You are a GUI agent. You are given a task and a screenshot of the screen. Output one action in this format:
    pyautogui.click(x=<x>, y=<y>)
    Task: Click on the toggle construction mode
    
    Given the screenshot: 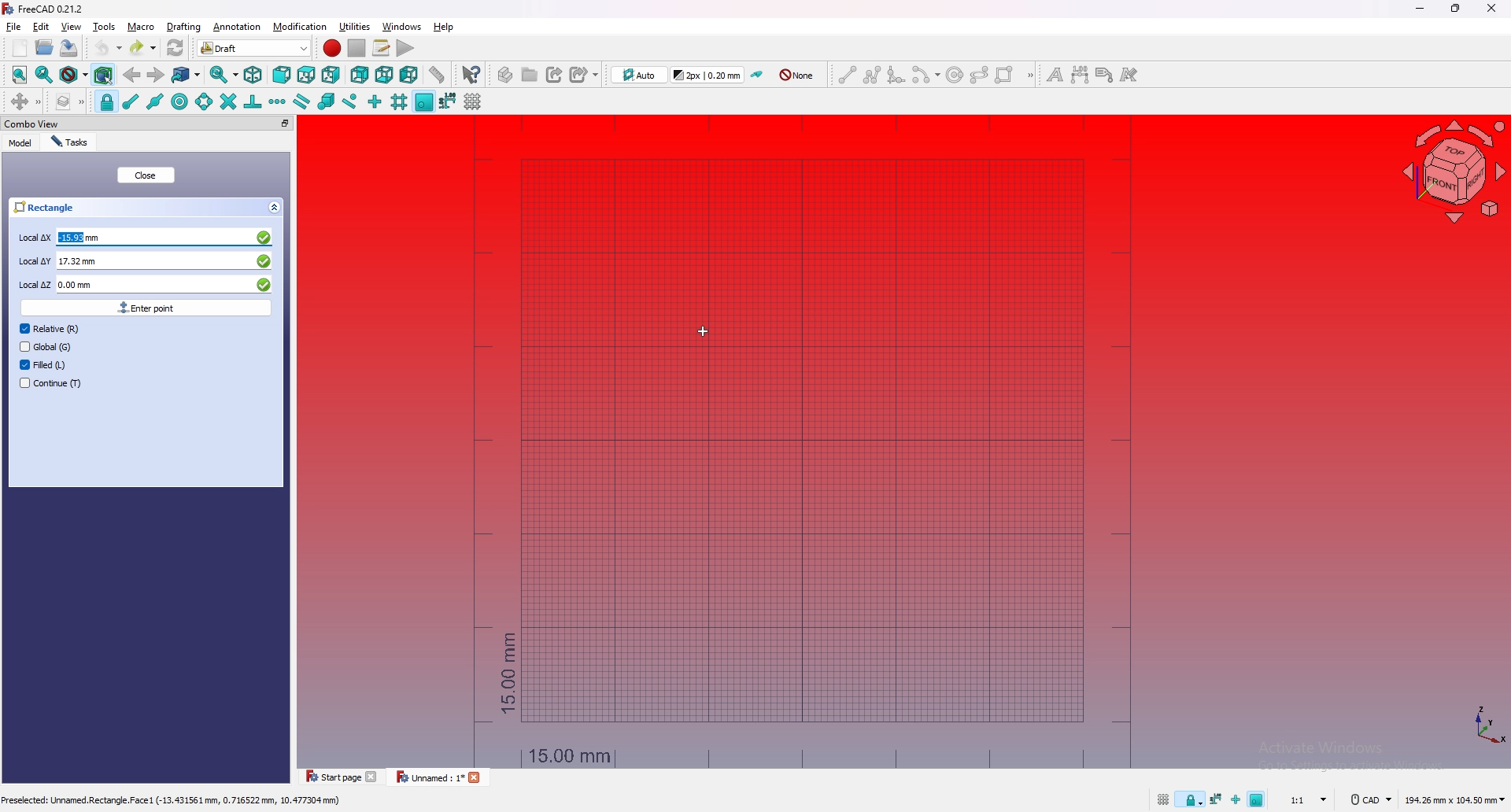 What is the action you would take?
    pyautogui.click(x=758, y=75)
    